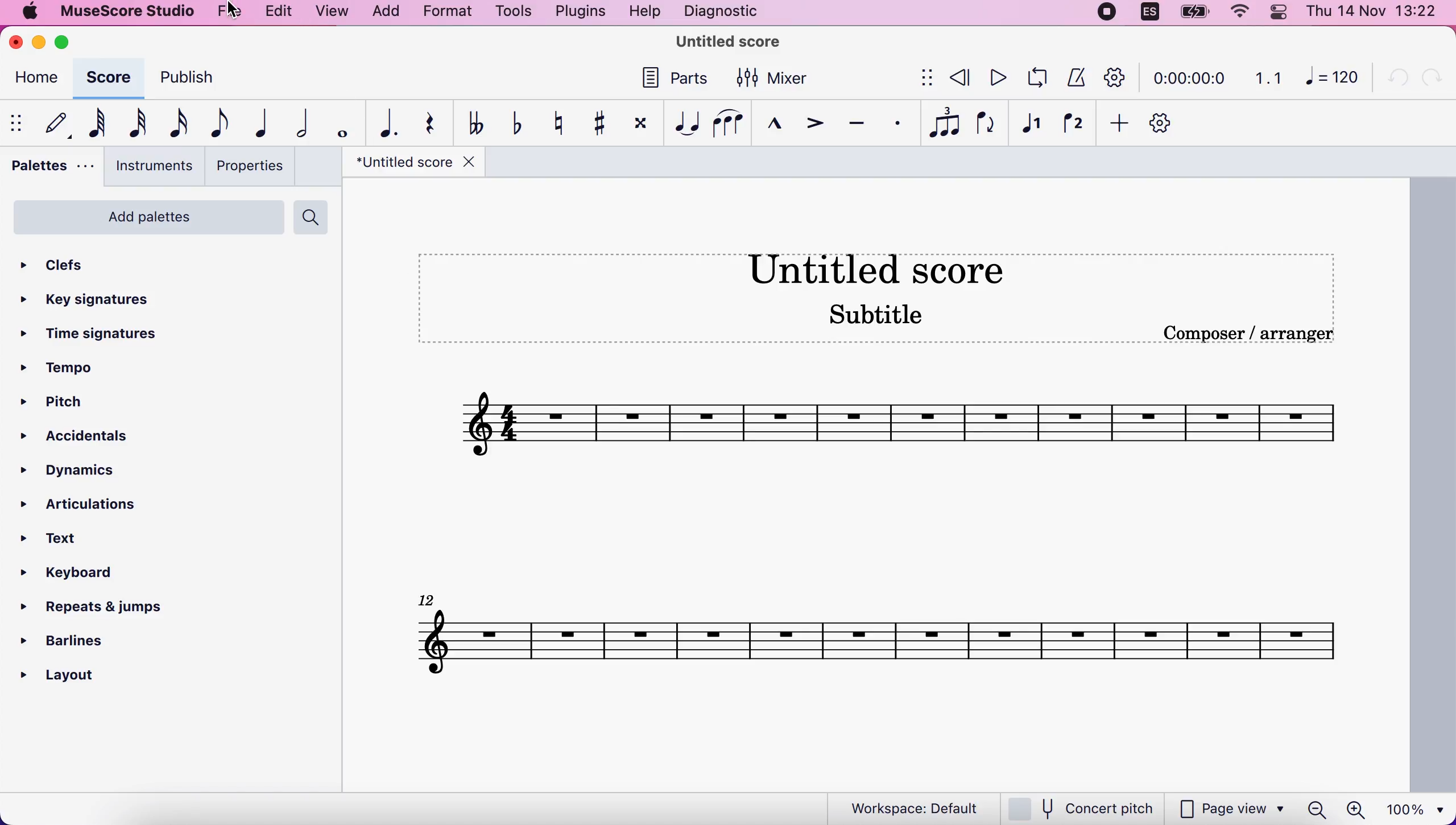 The image size is (1456, 825). I want to click on 100%, so click(1418, 808).